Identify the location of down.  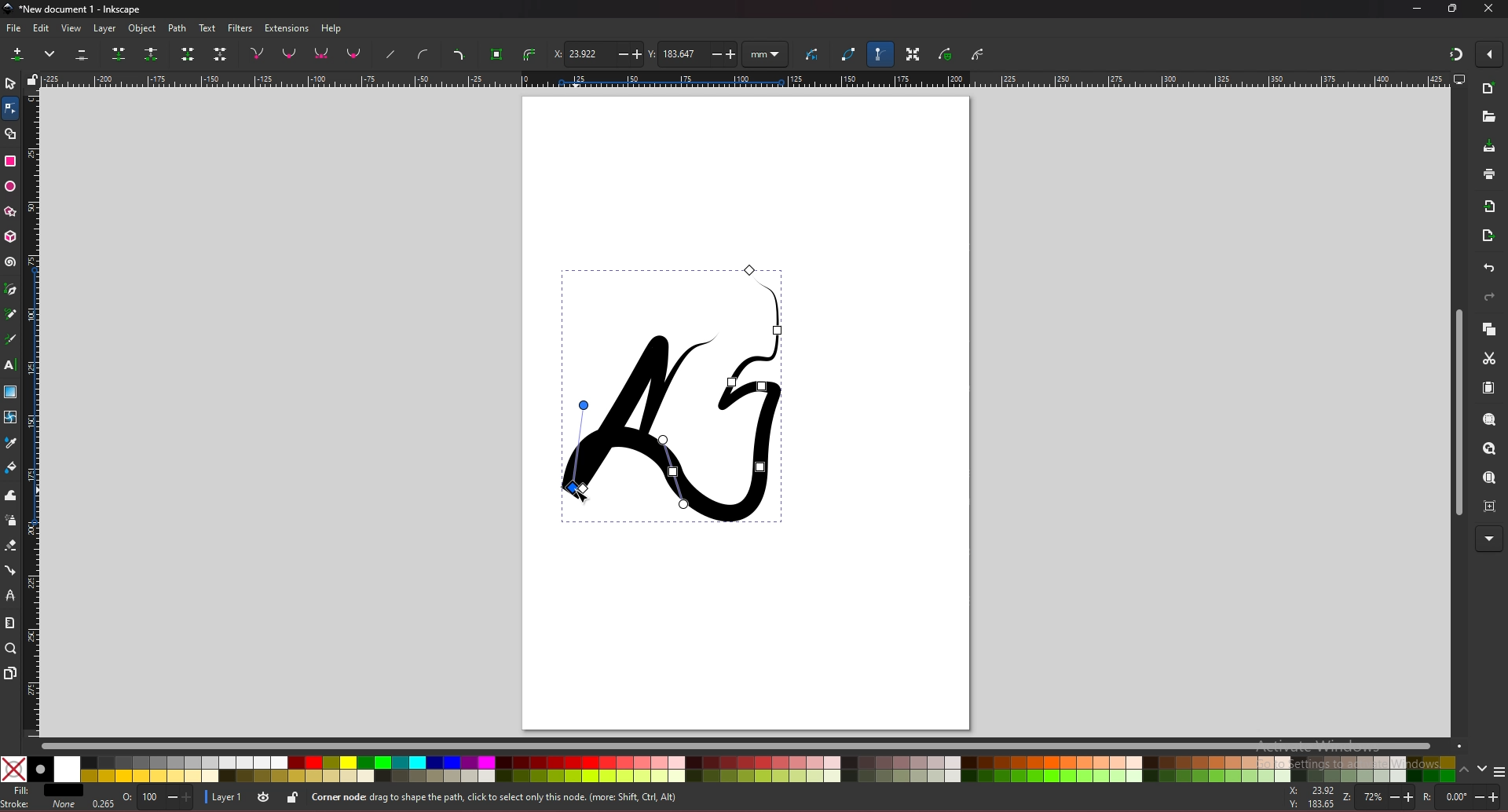
(1484, 769).